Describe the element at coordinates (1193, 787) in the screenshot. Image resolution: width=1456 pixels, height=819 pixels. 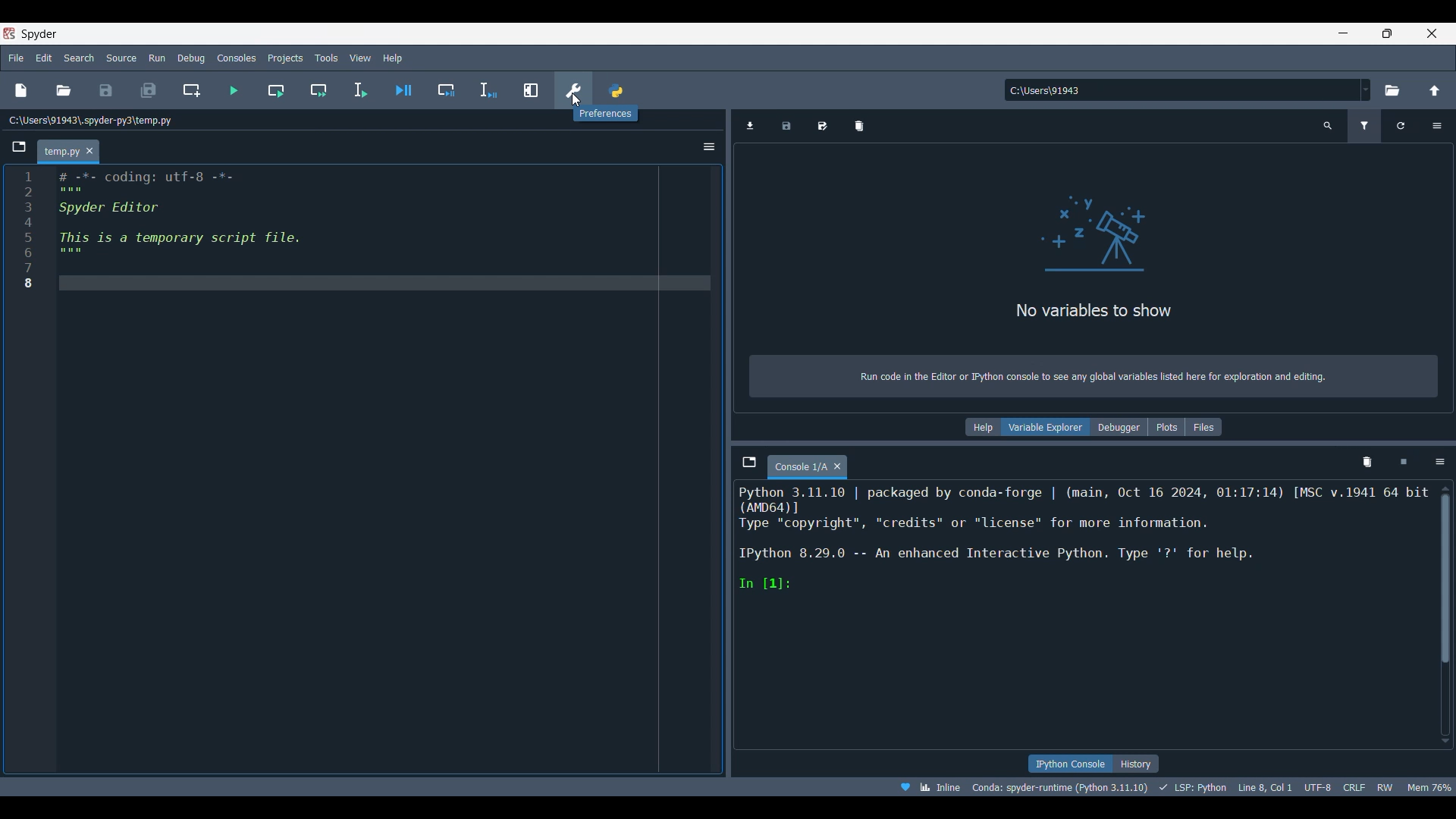
I see `programming language` at that location.